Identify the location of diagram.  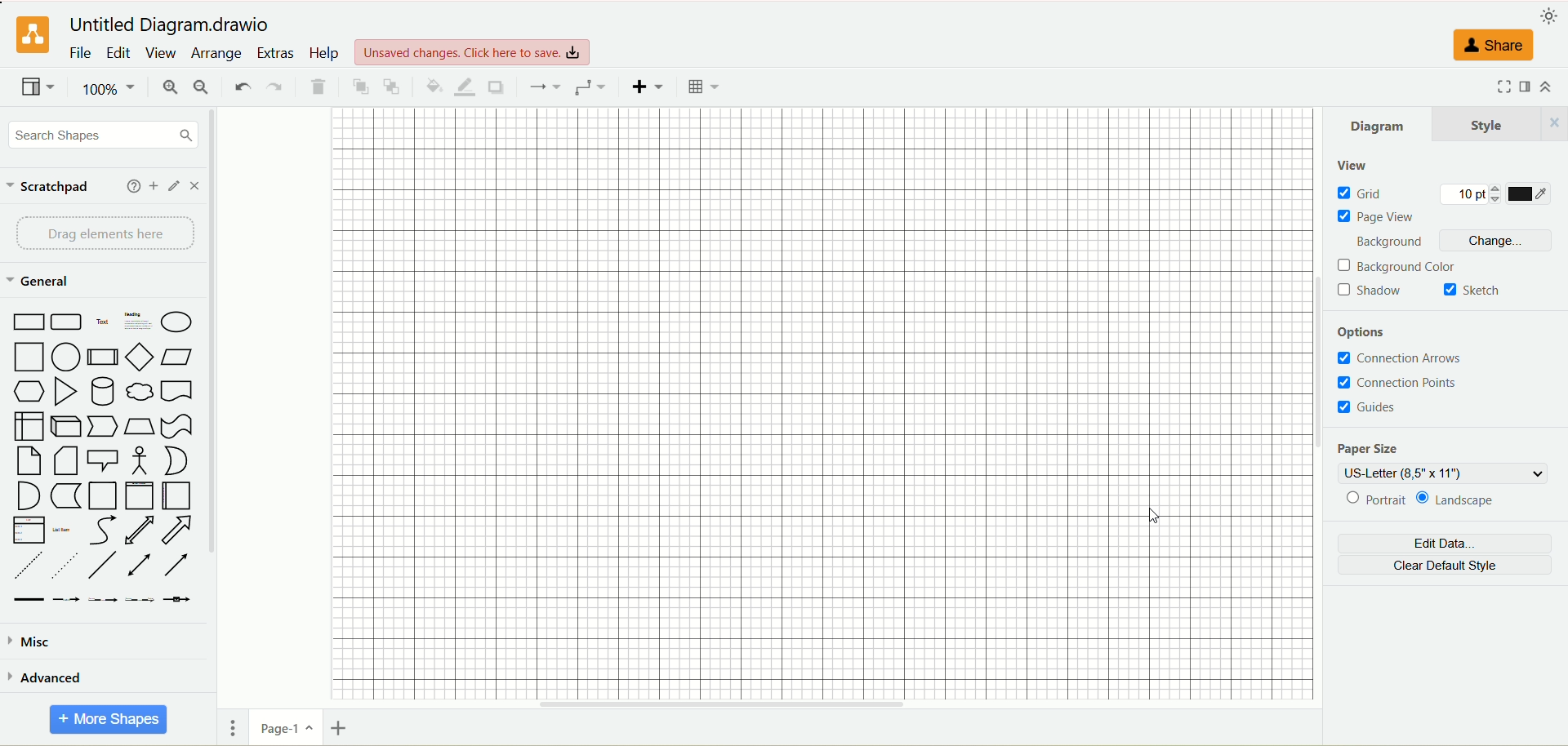
(1376, 123).